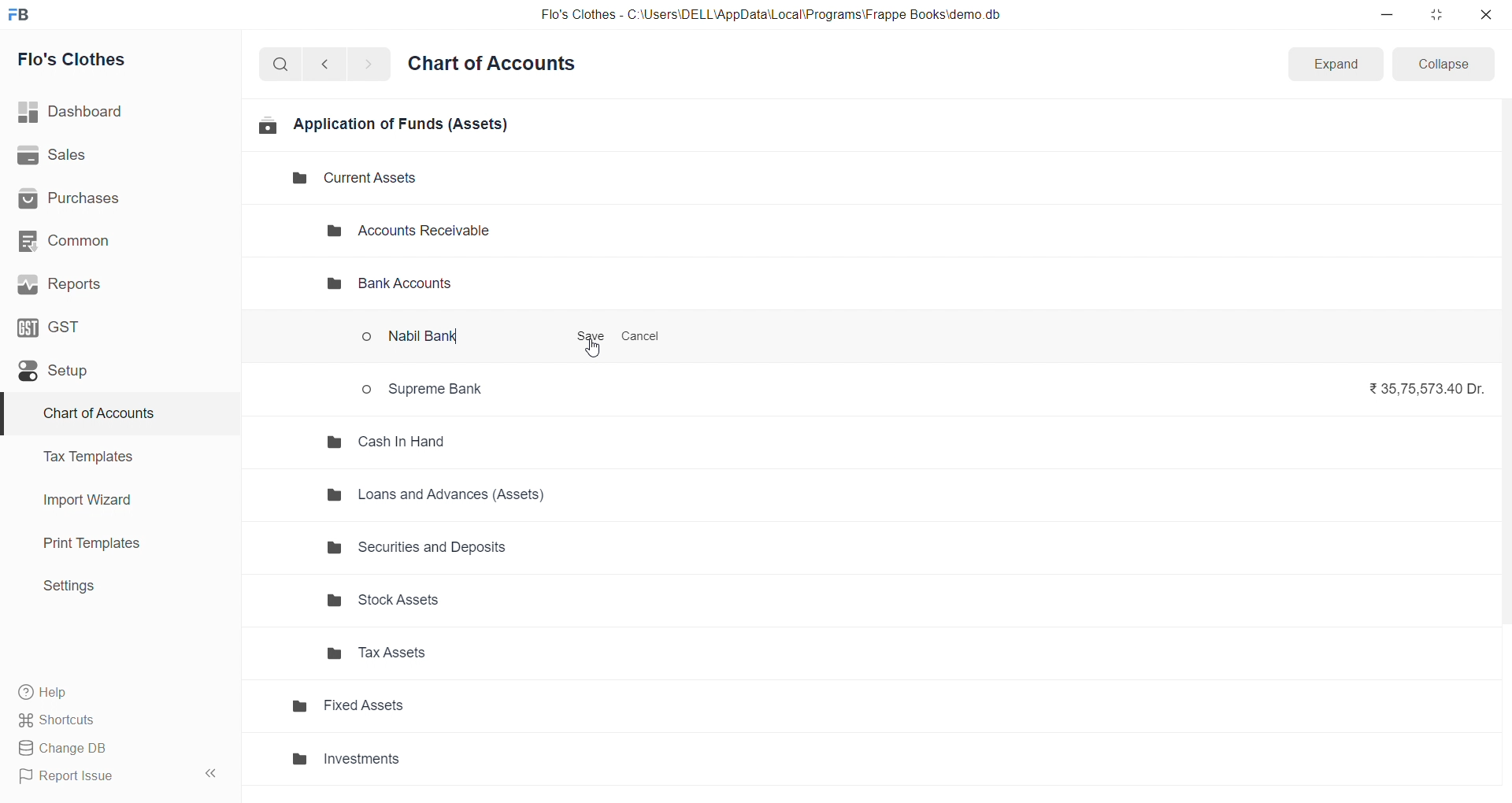 This screenshot has height=803, width=1512. What do you see at coordinates (113, 749) in the screenshot?
I see `Change DB` at bounding box center [113, 749].